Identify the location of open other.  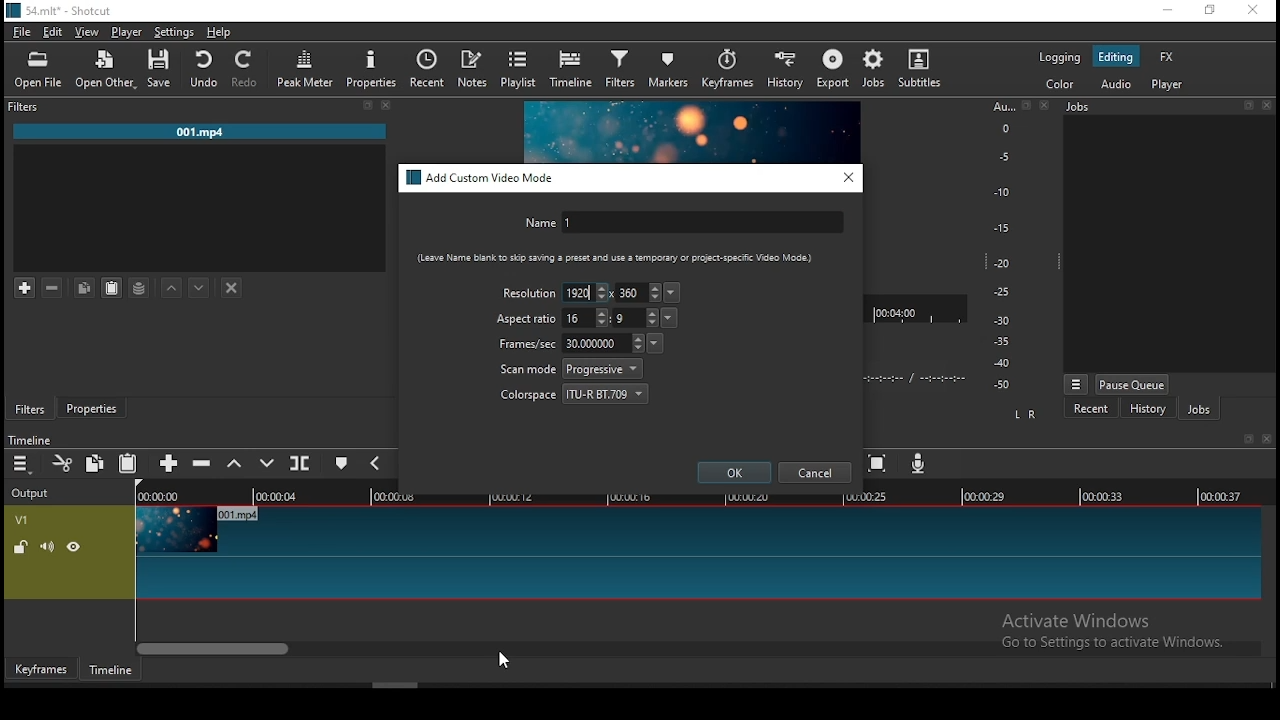
(107, 71).